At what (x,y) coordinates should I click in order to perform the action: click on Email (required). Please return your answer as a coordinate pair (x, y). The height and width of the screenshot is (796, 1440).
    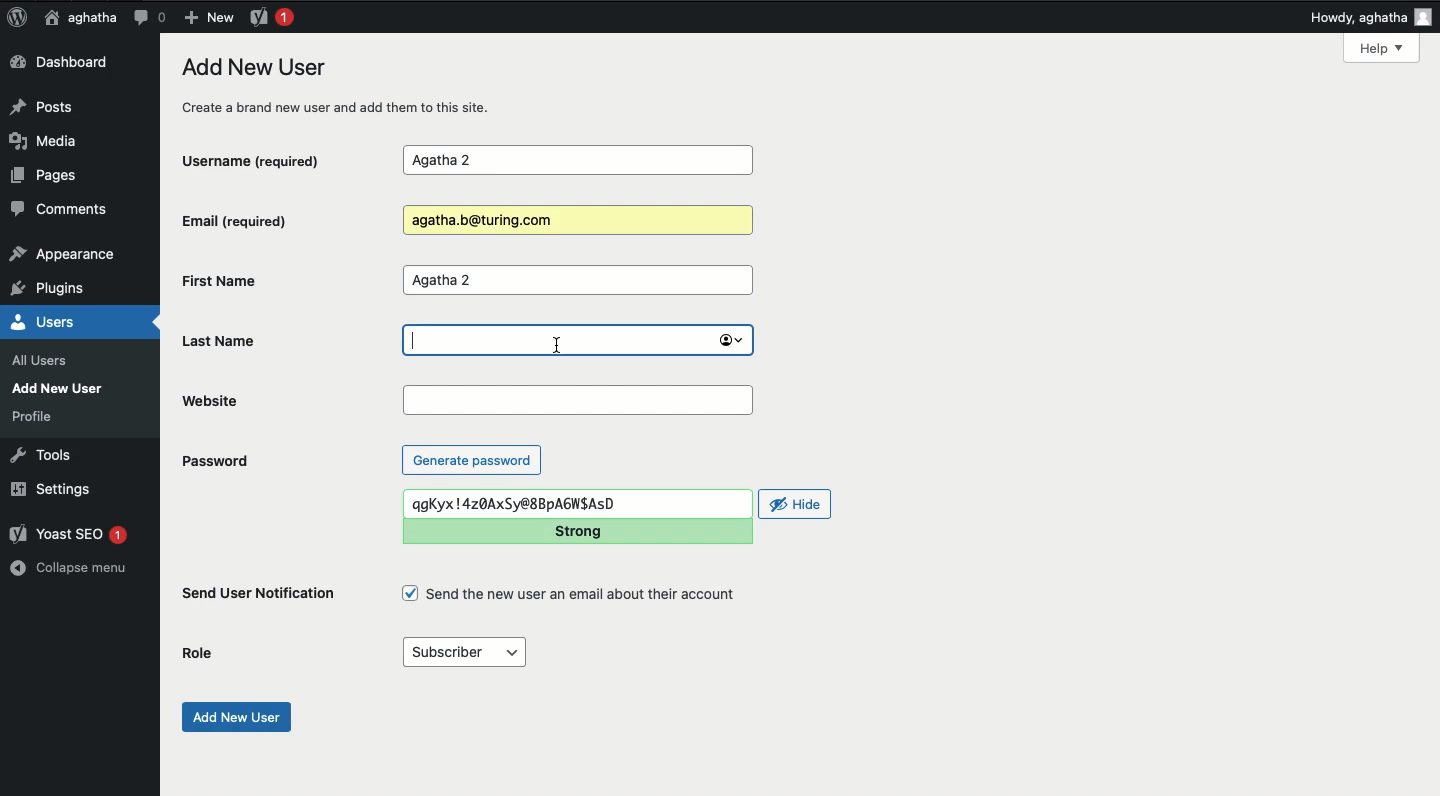
    Looking at the image, I should click on (269, 220).